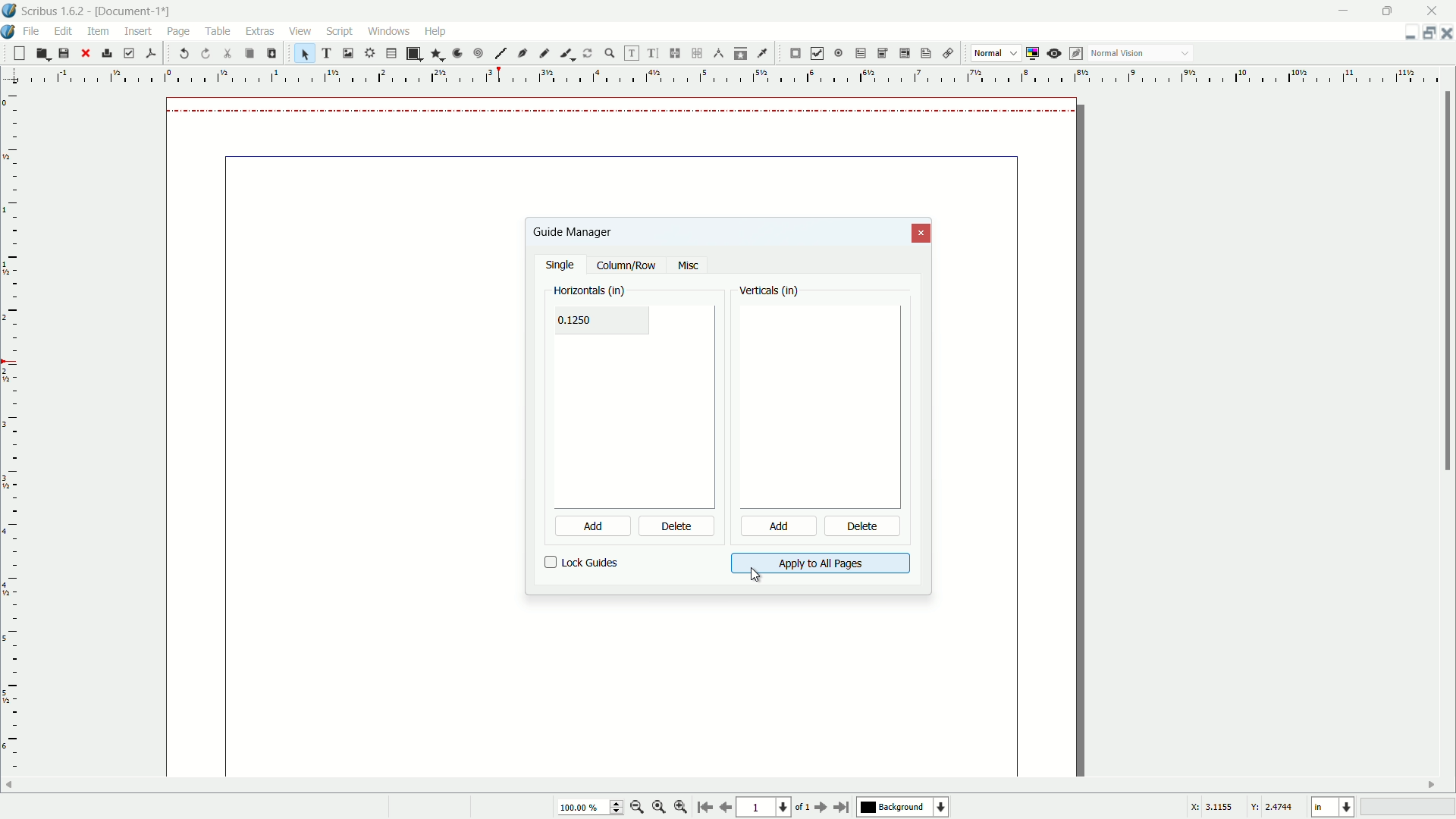 This screenshot has width=1456, height=819. I want to click on measuring scale, so click(722, 77).